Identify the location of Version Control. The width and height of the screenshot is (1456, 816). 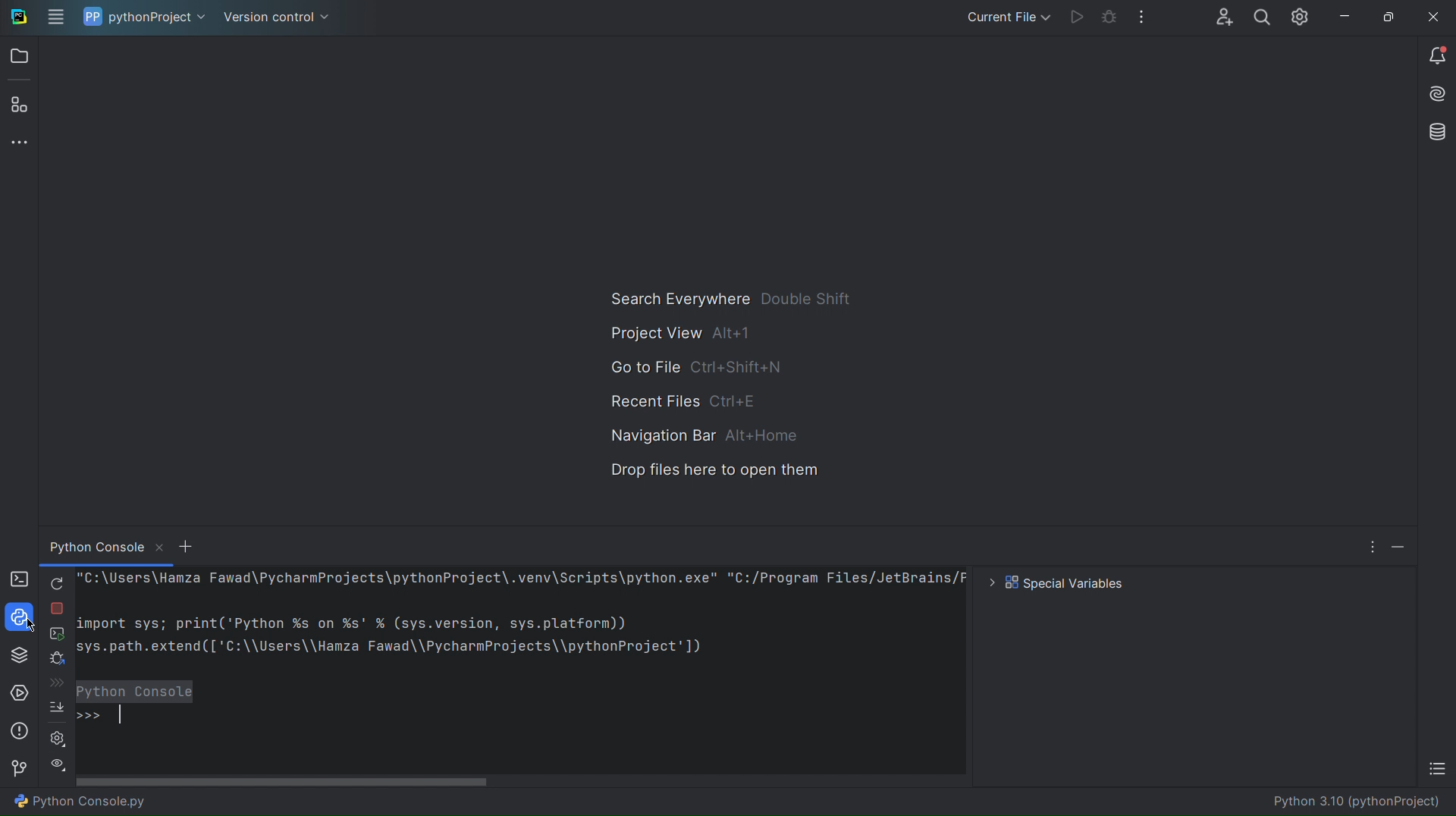
(273, 17).